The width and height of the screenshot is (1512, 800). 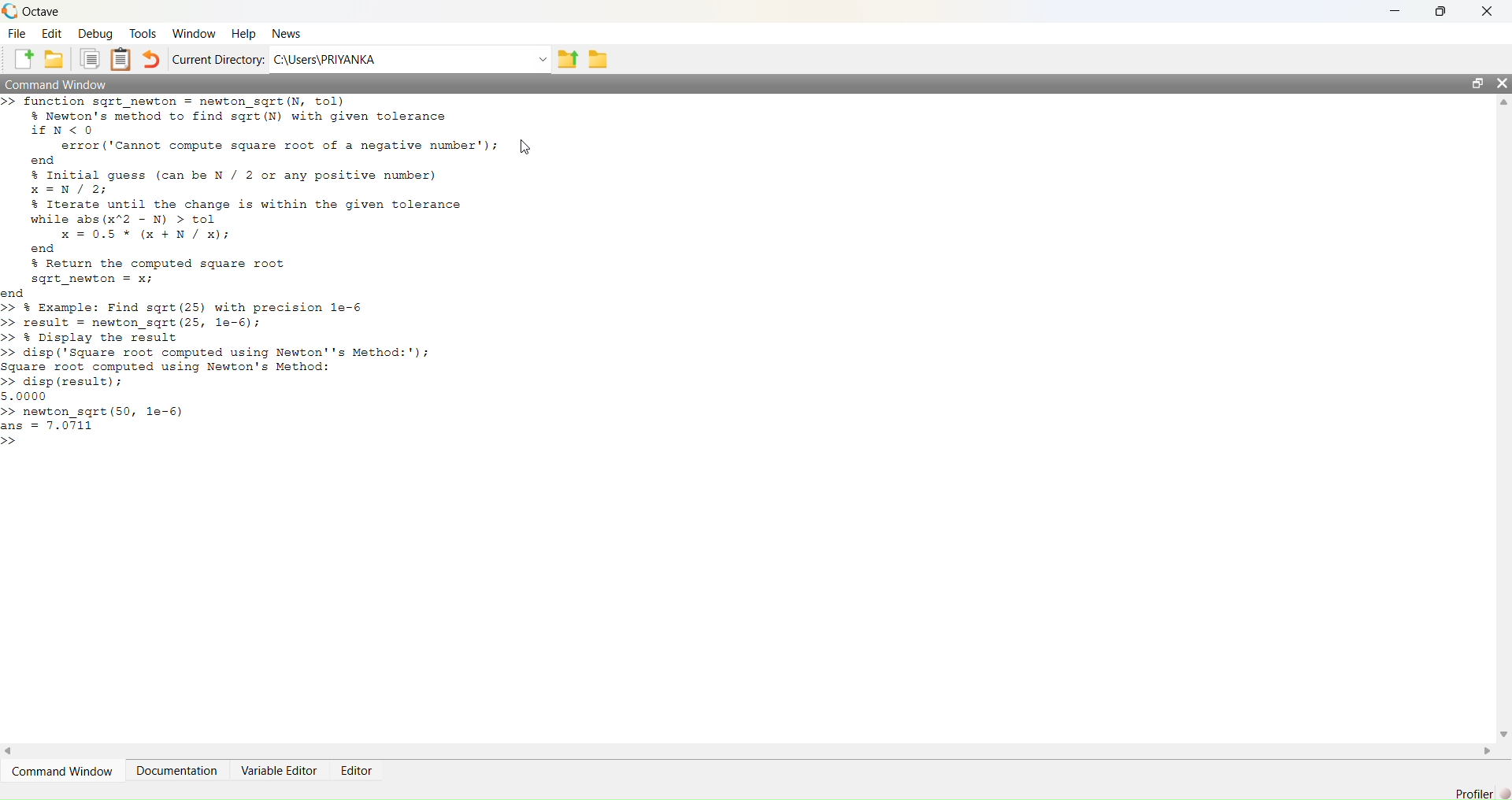 What do you see at coordinates (91, 61) in the screenshot?
I see `Copy` at bounding box center [91, 61].